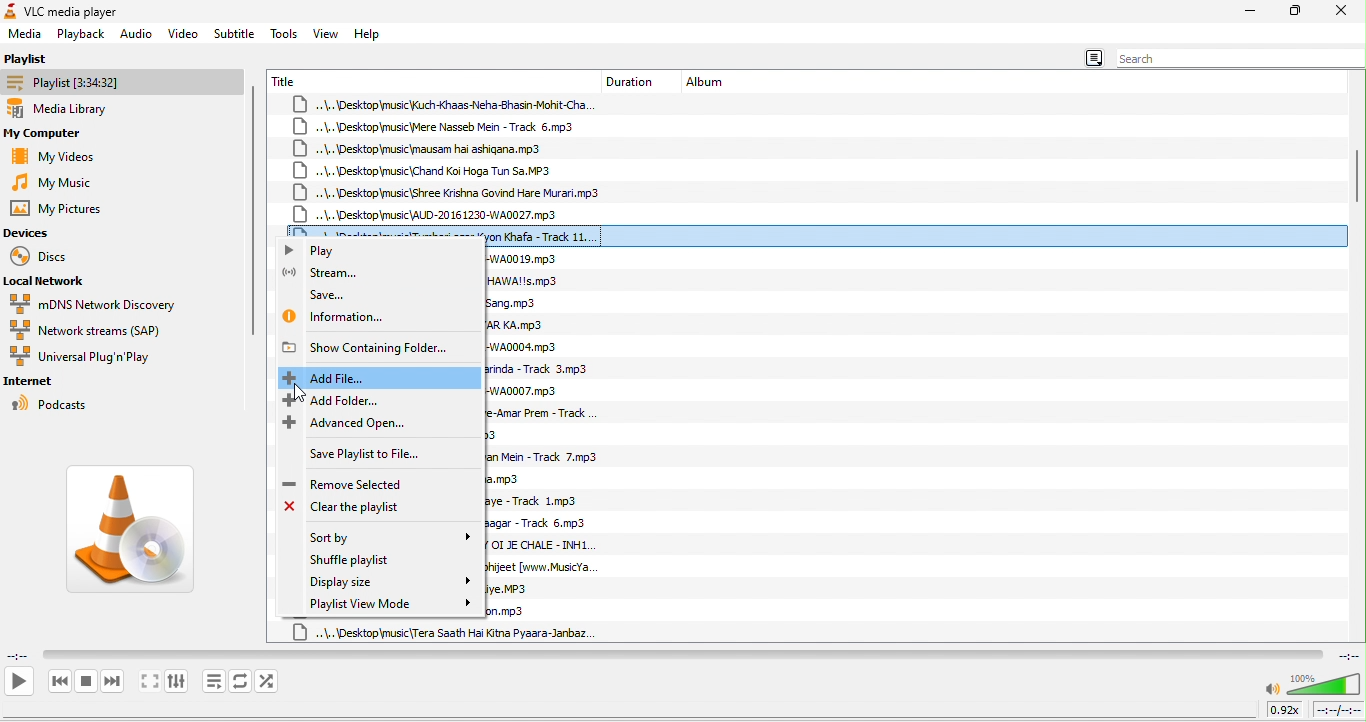  Describe the element at coordinates (298, 392) in the screenshot. I see `cursor` at that location.